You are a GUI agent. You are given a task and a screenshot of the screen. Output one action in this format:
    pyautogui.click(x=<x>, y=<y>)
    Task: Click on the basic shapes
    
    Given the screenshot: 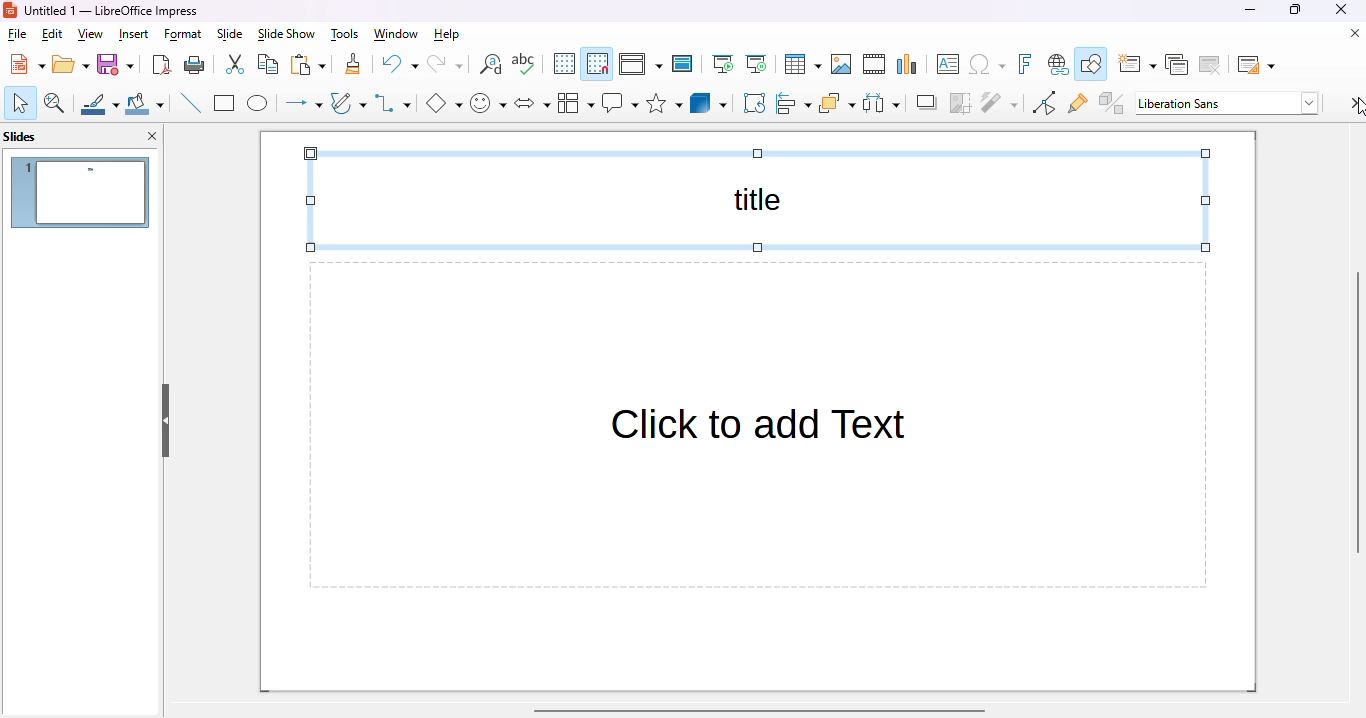 What is the action you would take?
    pyautogui.click(x=444, y=103)
    